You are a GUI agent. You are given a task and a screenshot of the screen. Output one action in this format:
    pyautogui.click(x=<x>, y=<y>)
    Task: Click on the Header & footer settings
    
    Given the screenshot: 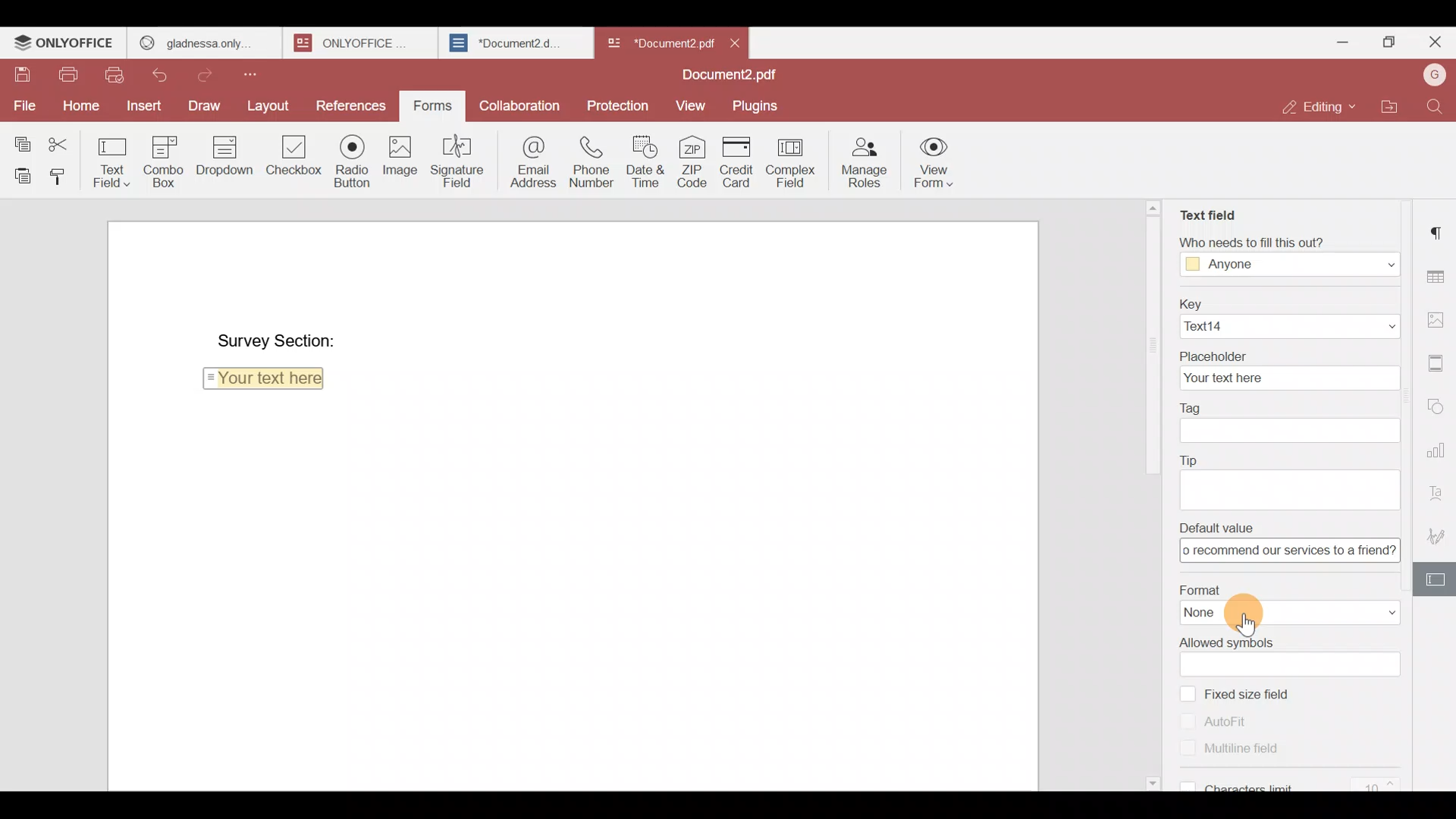 What is the action you would take?
    pyautogui.click(x=1439, y=367)
    